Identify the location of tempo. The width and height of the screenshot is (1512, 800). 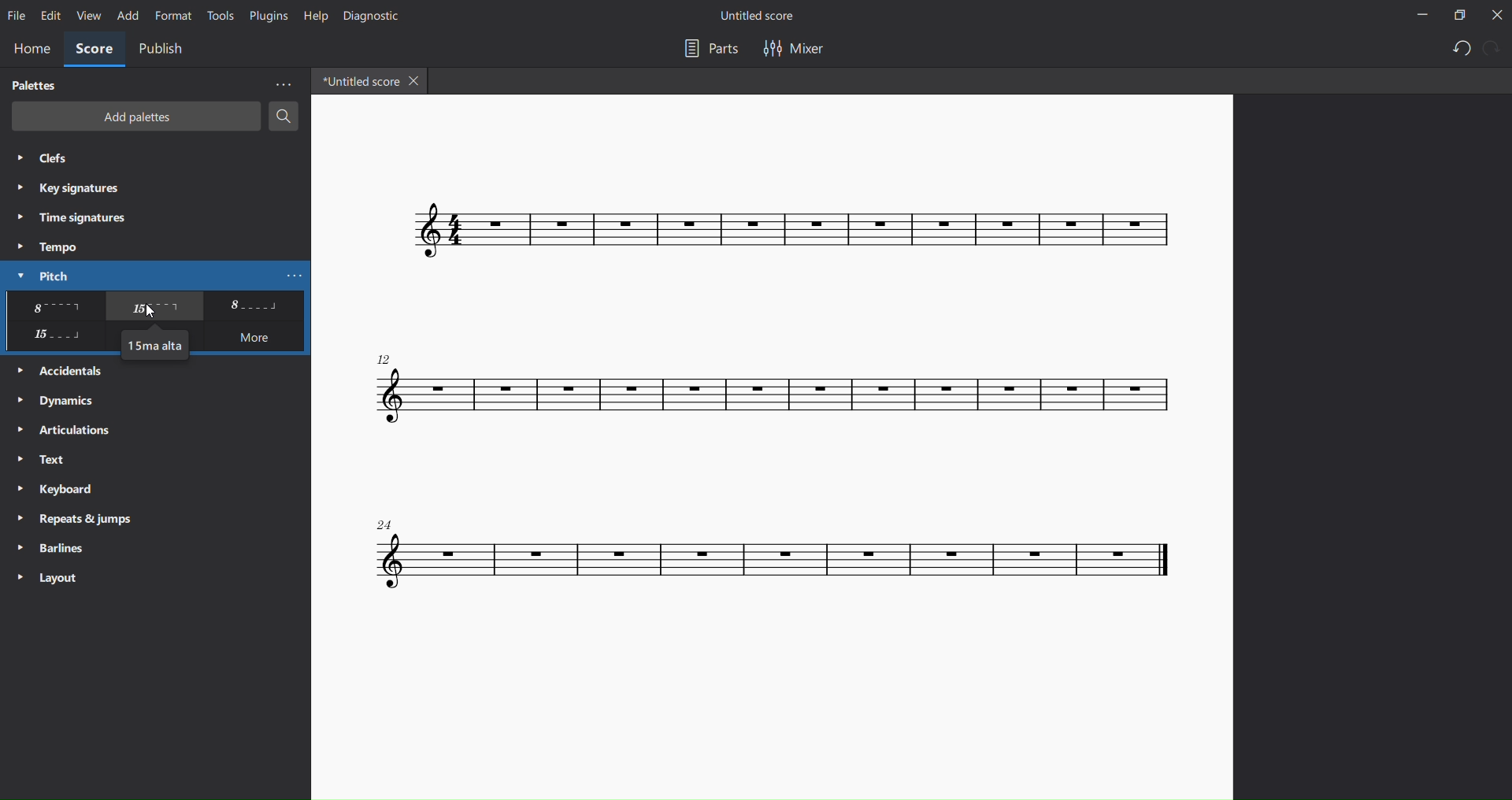
(50, 246).